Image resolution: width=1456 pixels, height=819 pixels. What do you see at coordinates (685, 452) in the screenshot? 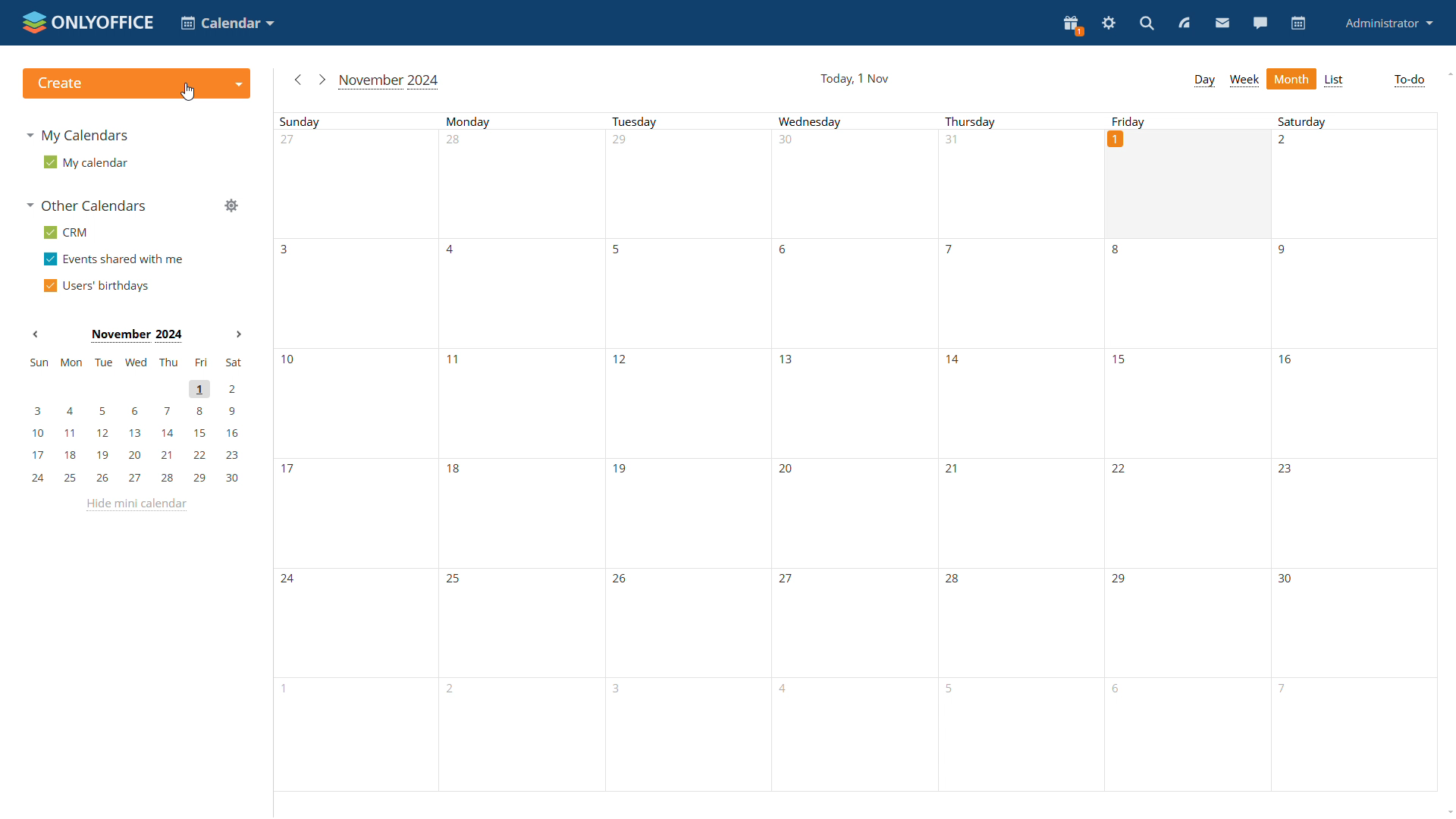
I see `Tuesday` at bounding box center [685, 452].